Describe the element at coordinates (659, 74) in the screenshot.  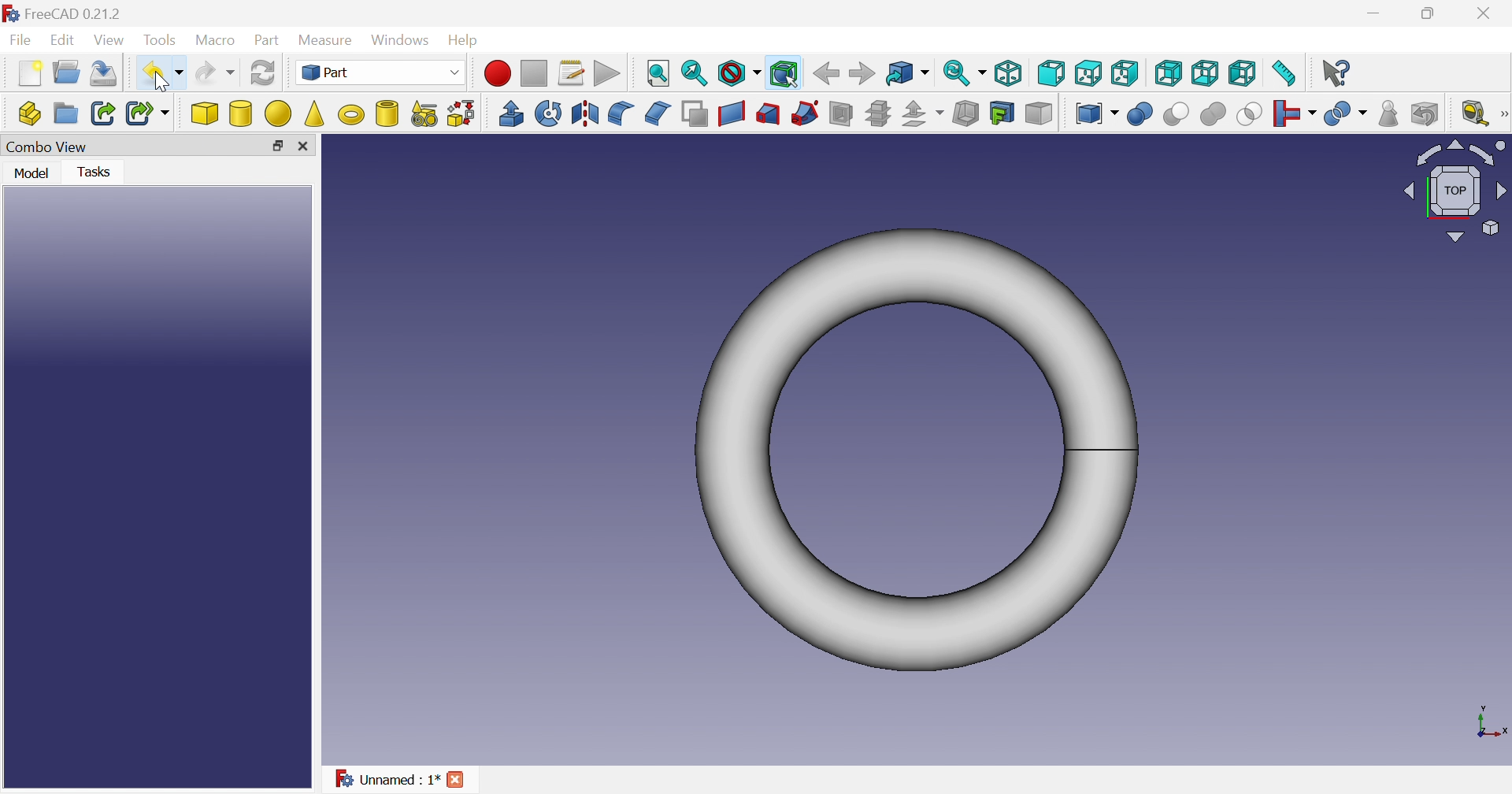
I see `Fit all` at that location.